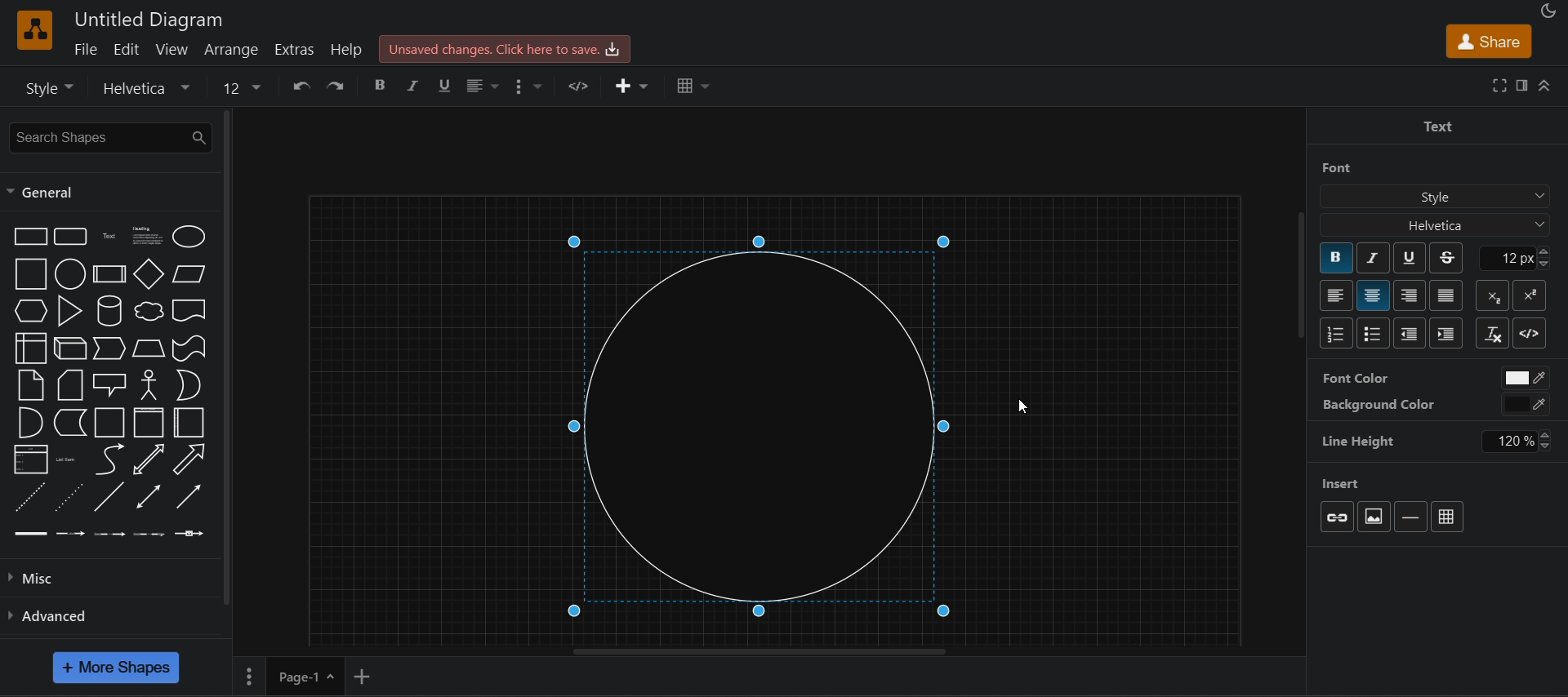 The width and height of the screenshot is (1568, 697). I want to click on style, so click(1433, 196).